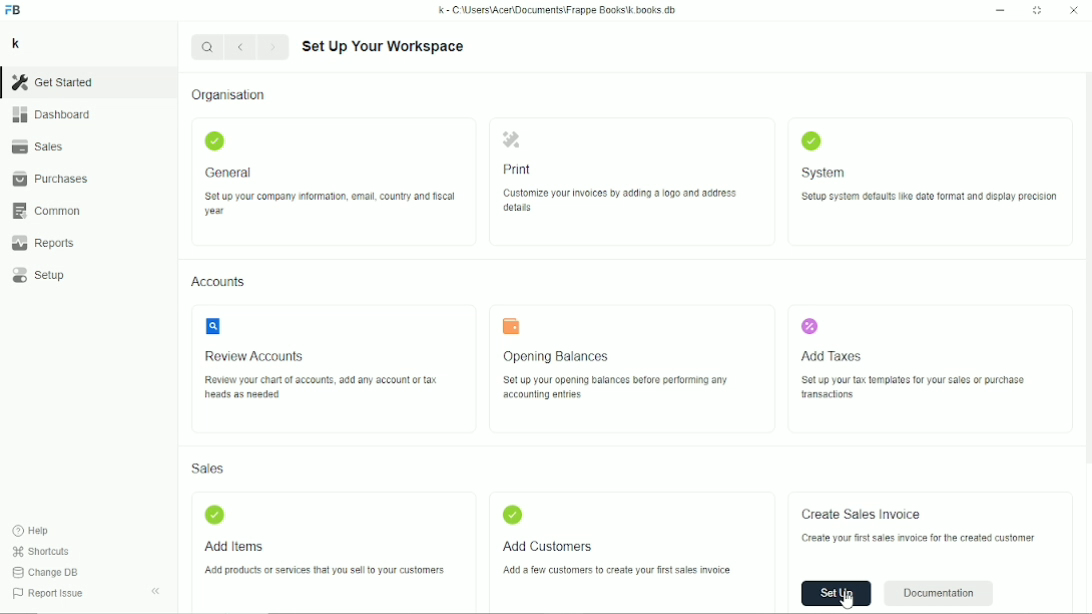  What do you see at coordinates (31, 530) in the screenshot?
I see `Help` at bounding box center [31, 530].